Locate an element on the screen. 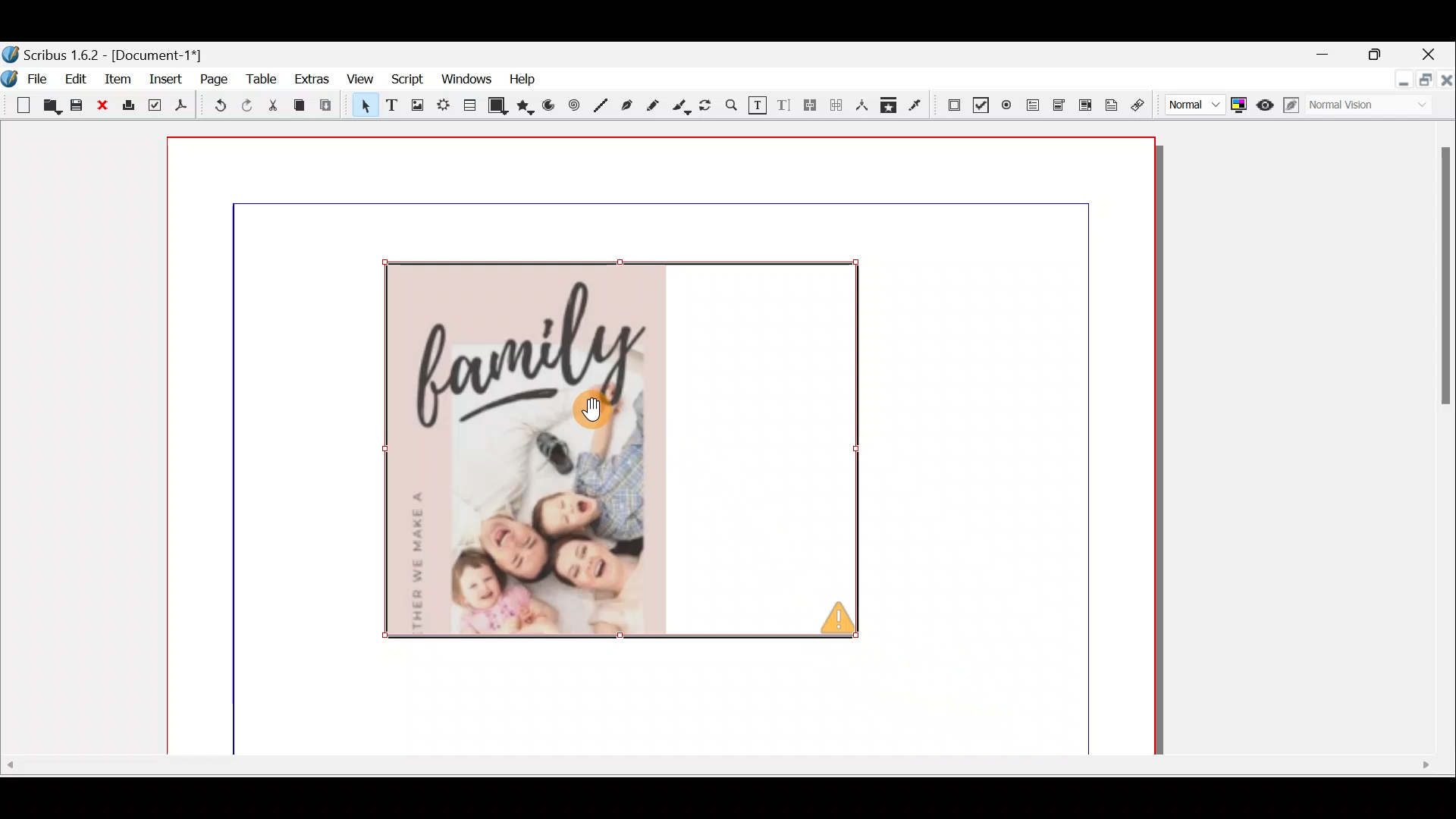 The image size is (1456, 819). Table is located at coordinates (263, 80).